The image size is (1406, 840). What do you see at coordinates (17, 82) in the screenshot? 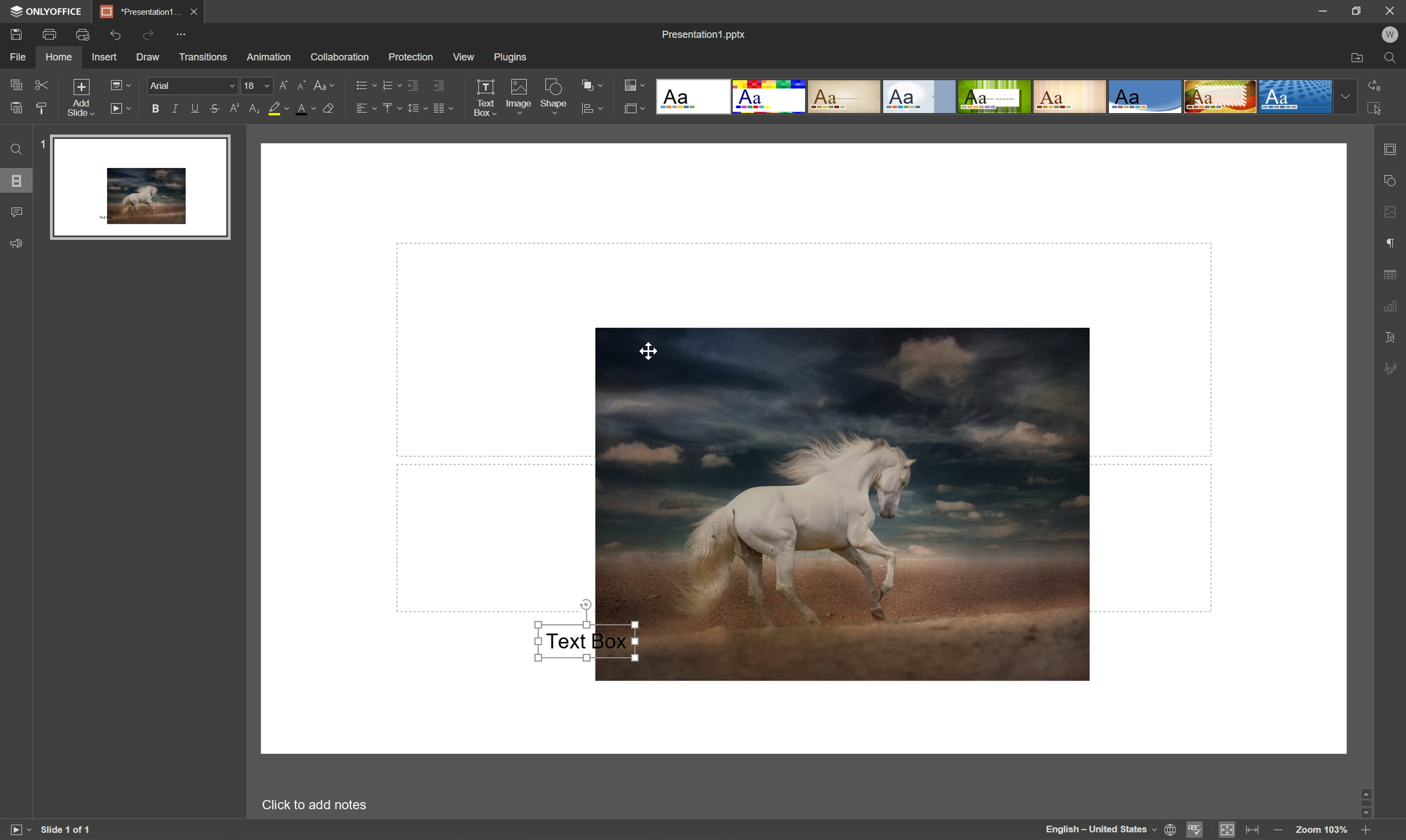
I see `Copy` at bounding box center [17, 82].